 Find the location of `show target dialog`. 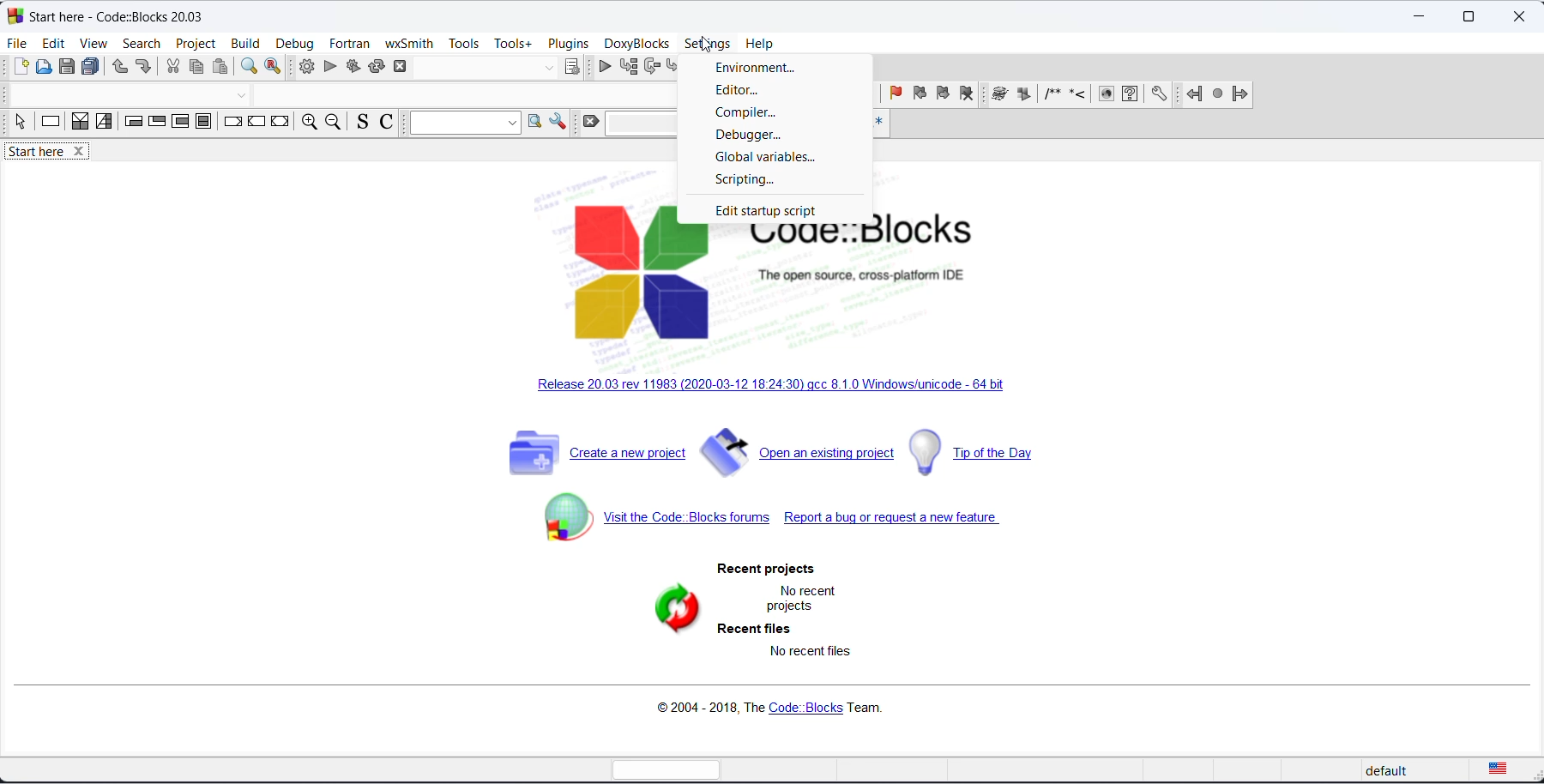

show target dialog is located at coordinates (573, 67).